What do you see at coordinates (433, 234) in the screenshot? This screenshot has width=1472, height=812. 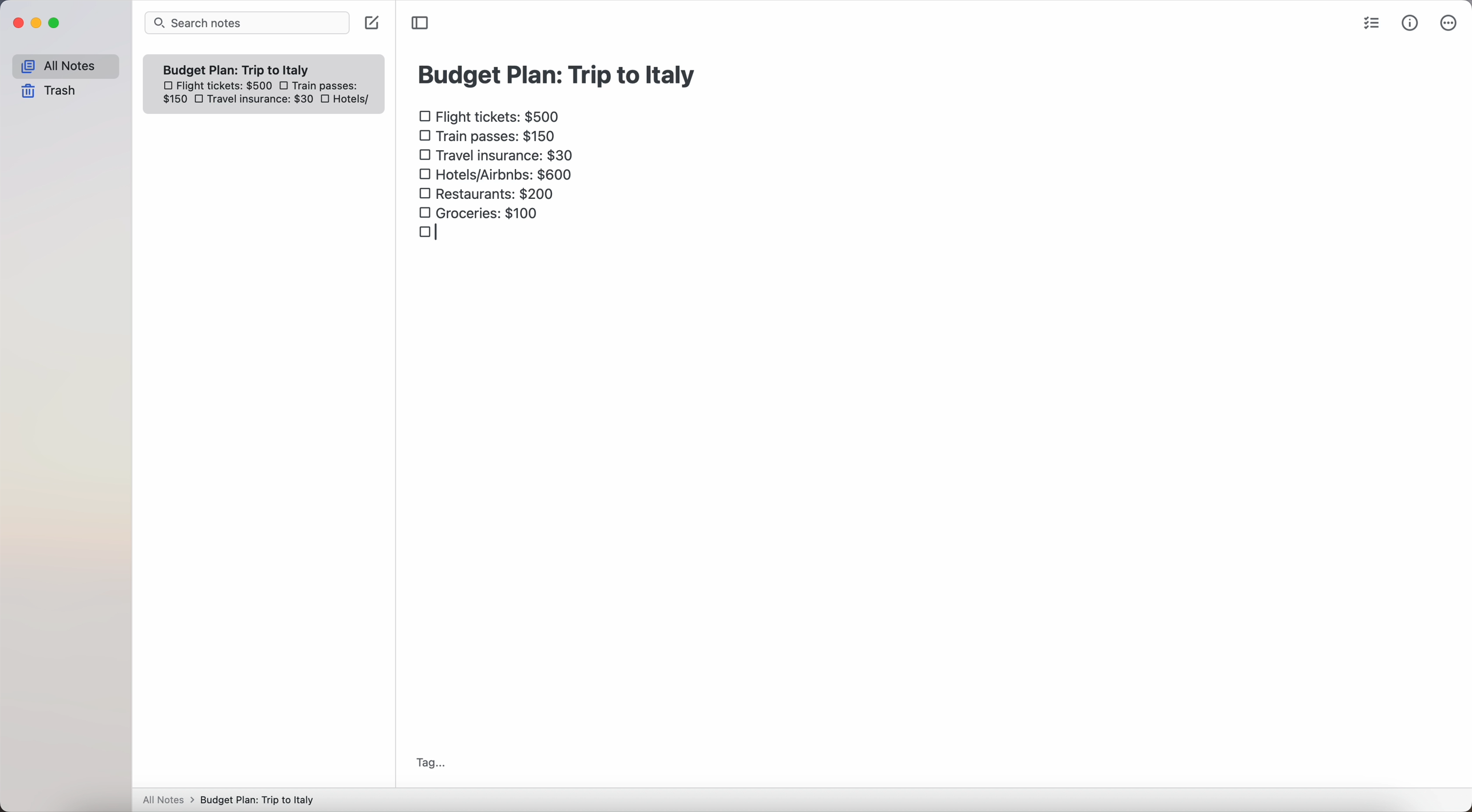 I see `checkbox` at bounding box center [433, 234].